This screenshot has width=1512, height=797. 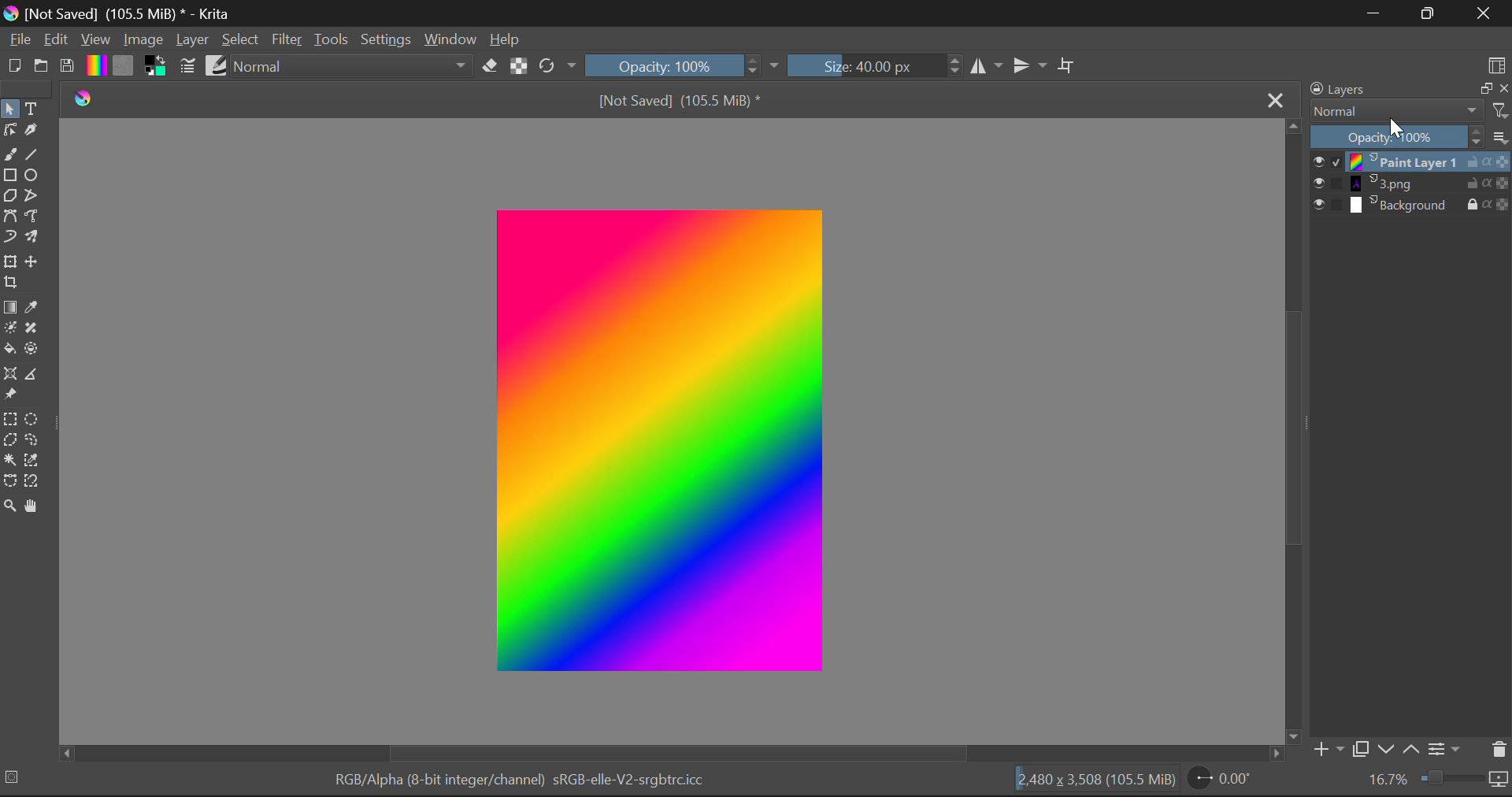 What do you see at coordinates (1478, 162) in the screenshot?
I see `lock layer` at bounding box center [1478, 162].